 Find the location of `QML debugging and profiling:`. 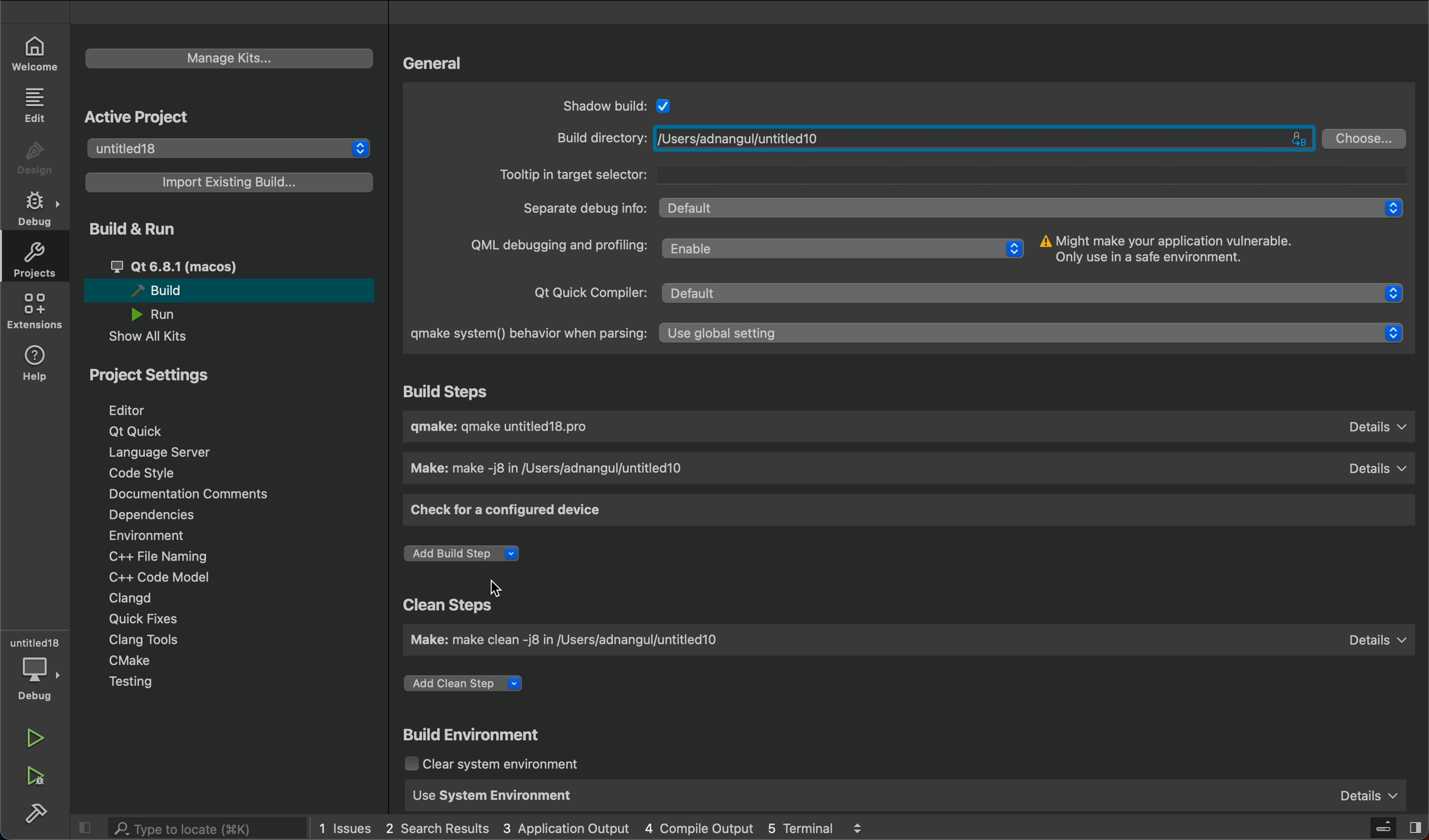

QML debugging and profiling: is located at coordinates (556, 245).